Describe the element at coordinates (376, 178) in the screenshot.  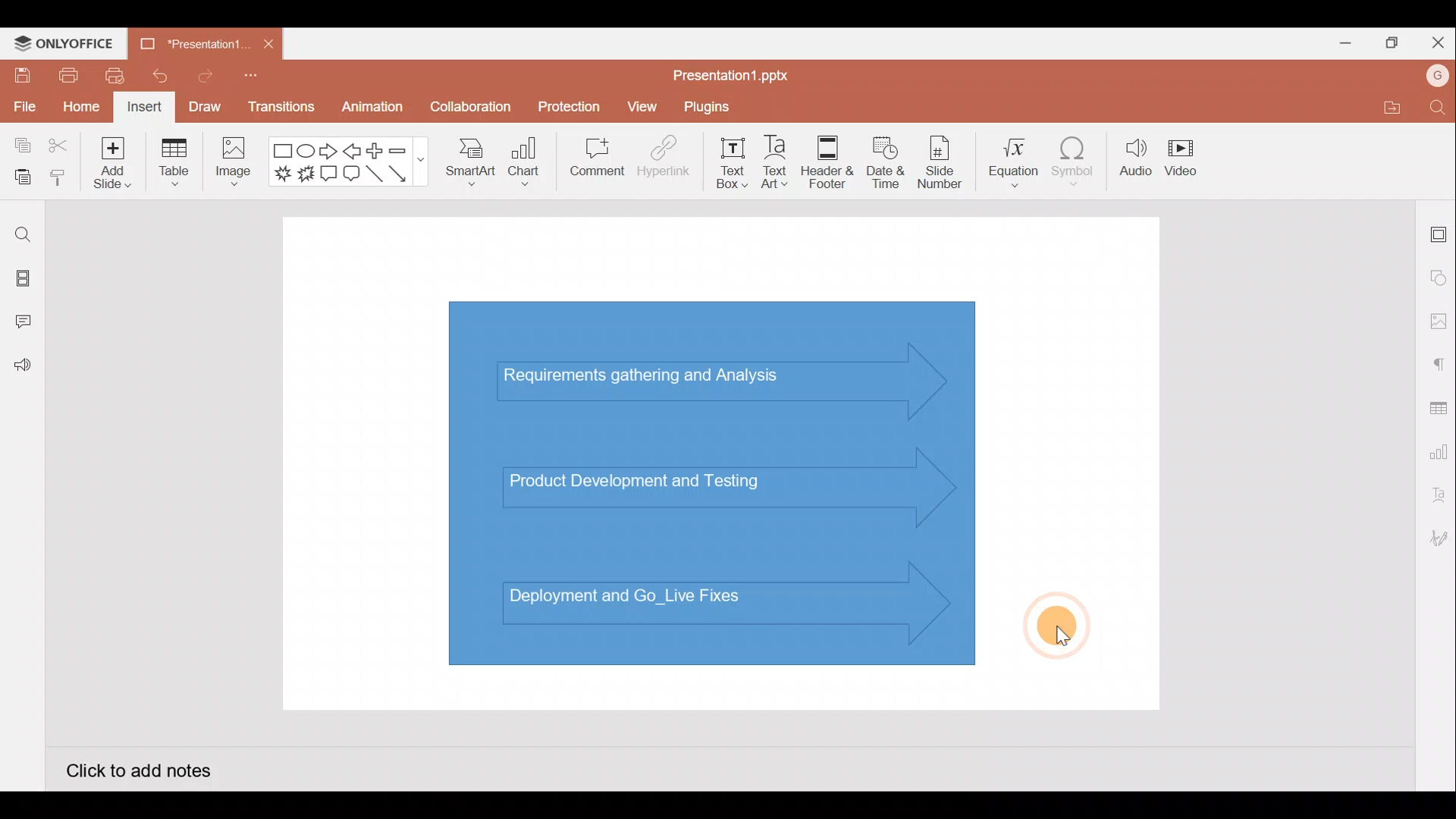
I see `Line` at that location.